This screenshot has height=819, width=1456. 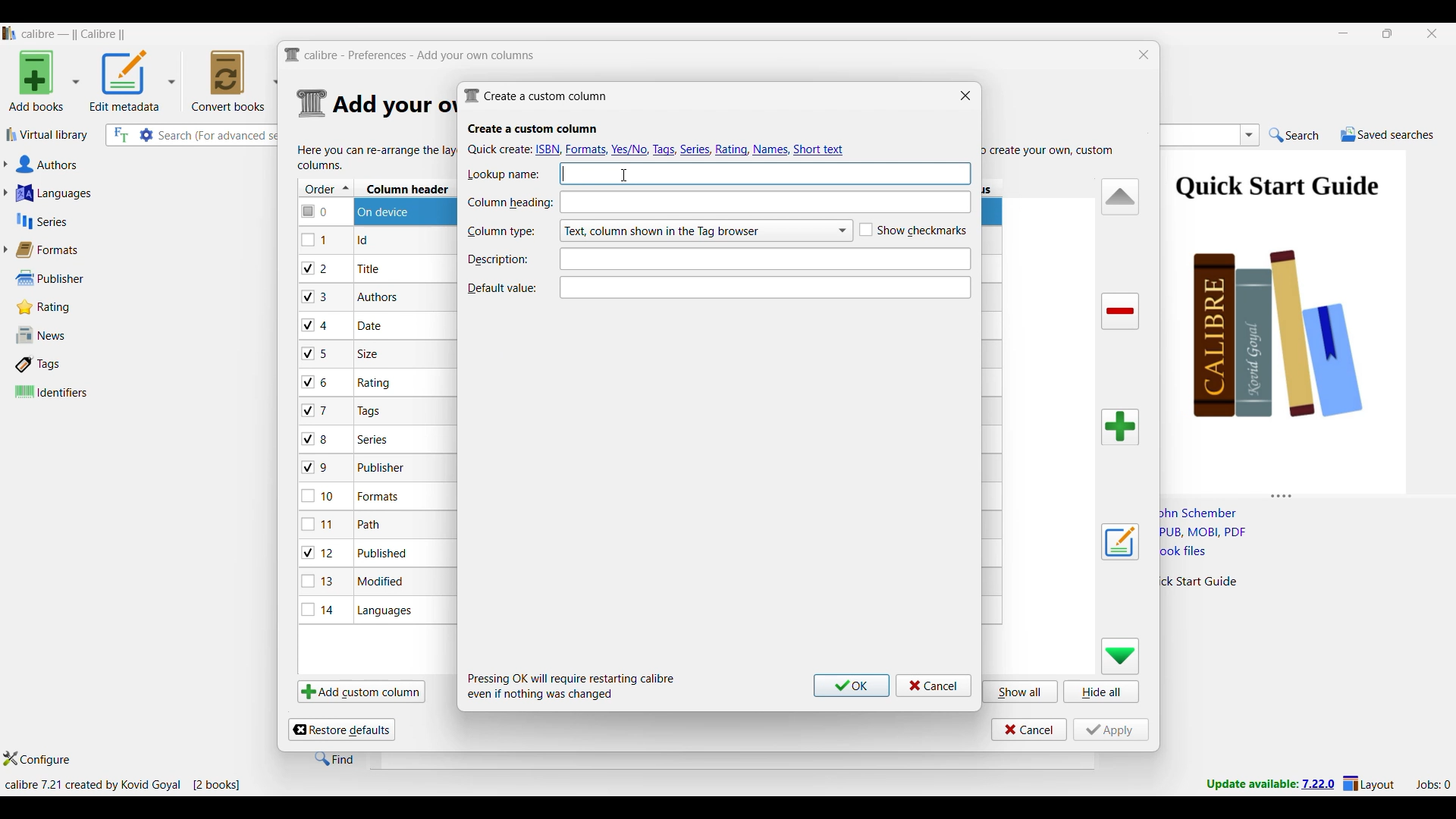 What do you see at coordinates (410, 55) in the screenshot?
I see `Title and logo of current window` at bounding box center [410, 55].